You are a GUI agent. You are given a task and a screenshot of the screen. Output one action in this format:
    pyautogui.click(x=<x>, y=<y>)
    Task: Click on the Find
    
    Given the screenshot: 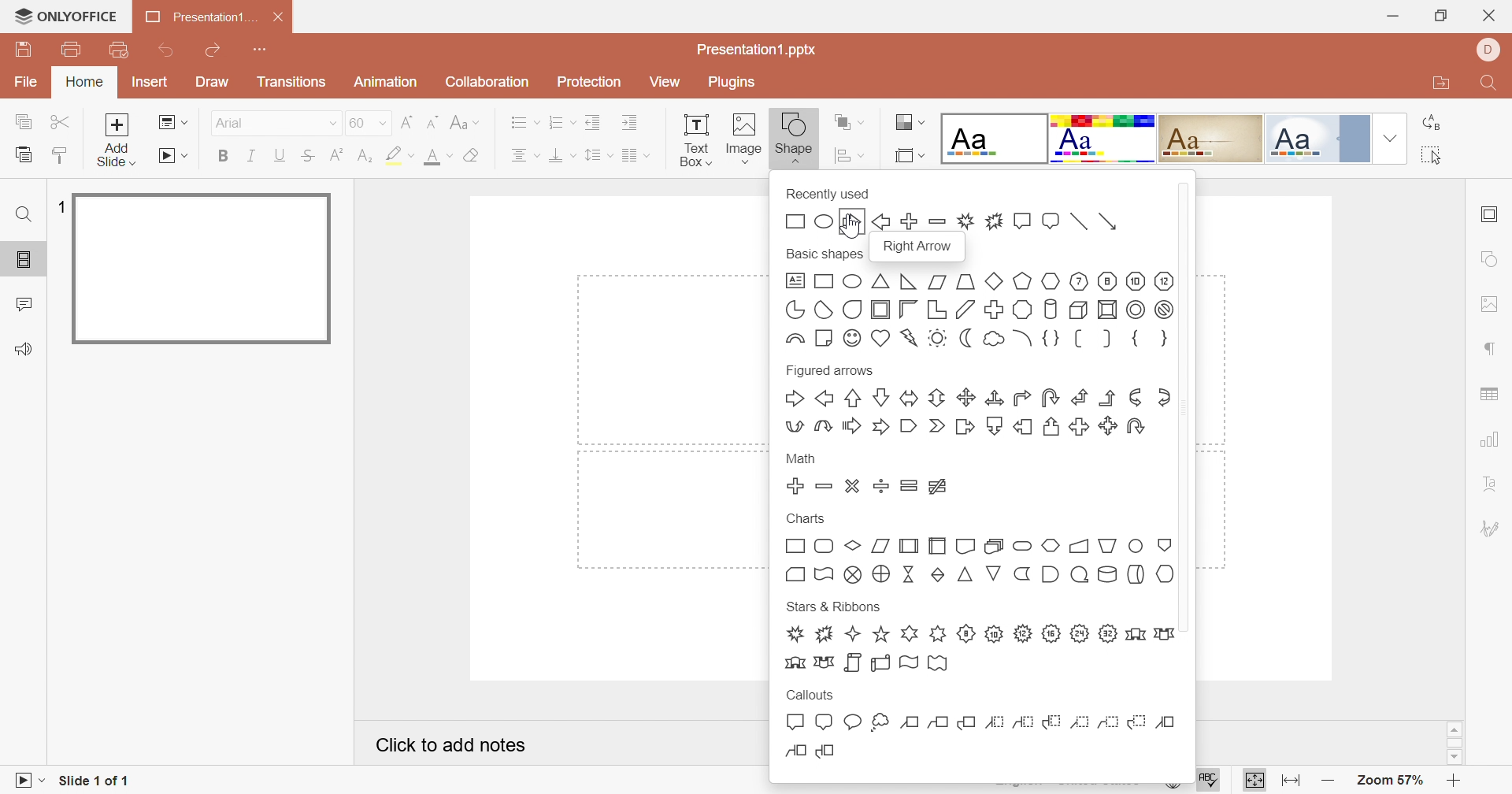 What is the action you would take?
    pyautogui.click(x=26, y=214)
    